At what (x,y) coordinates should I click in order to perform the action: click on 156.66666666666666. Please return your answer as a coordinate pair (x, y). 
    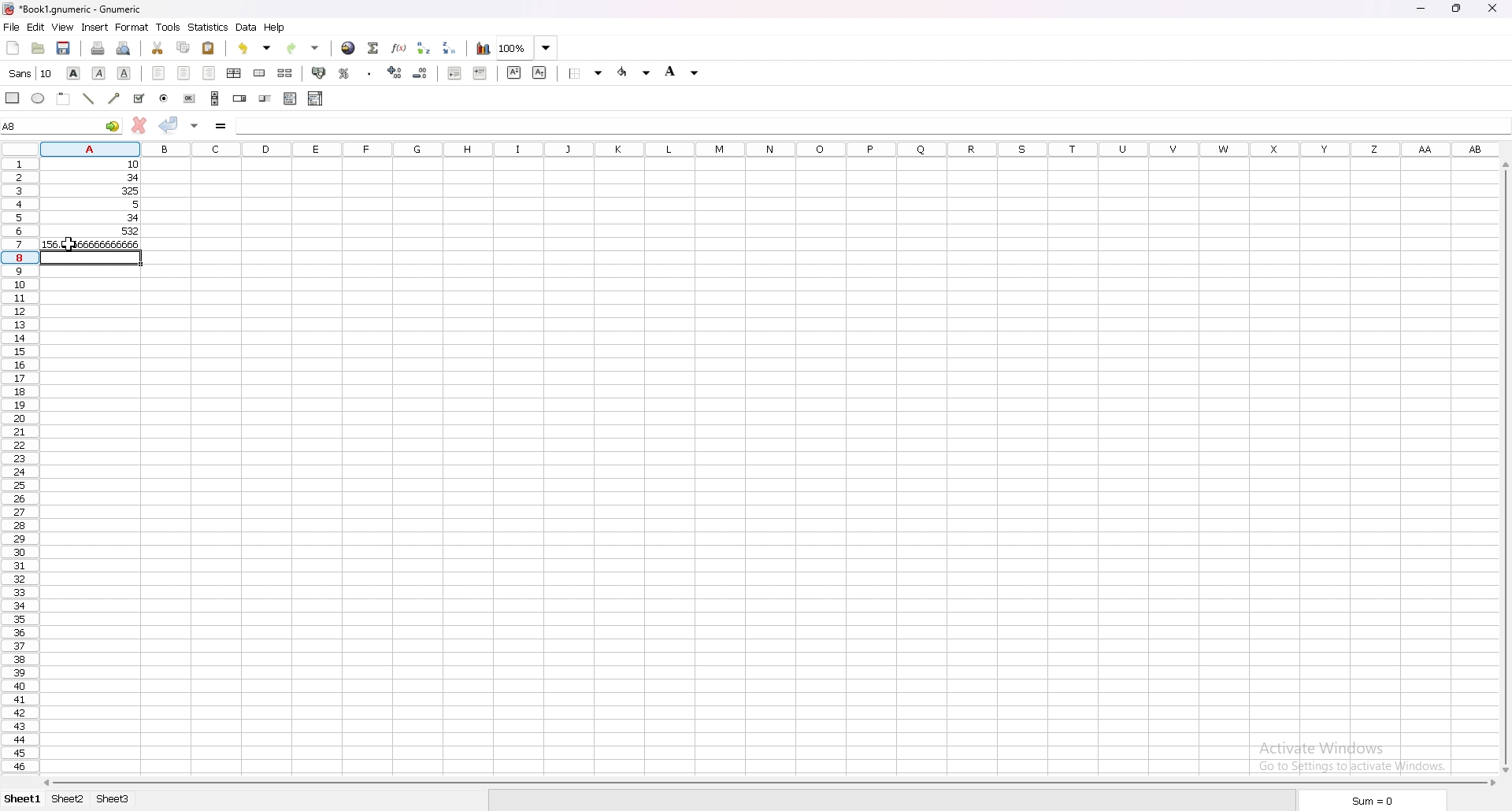
    Looking at the image, I should click on (93, 246).